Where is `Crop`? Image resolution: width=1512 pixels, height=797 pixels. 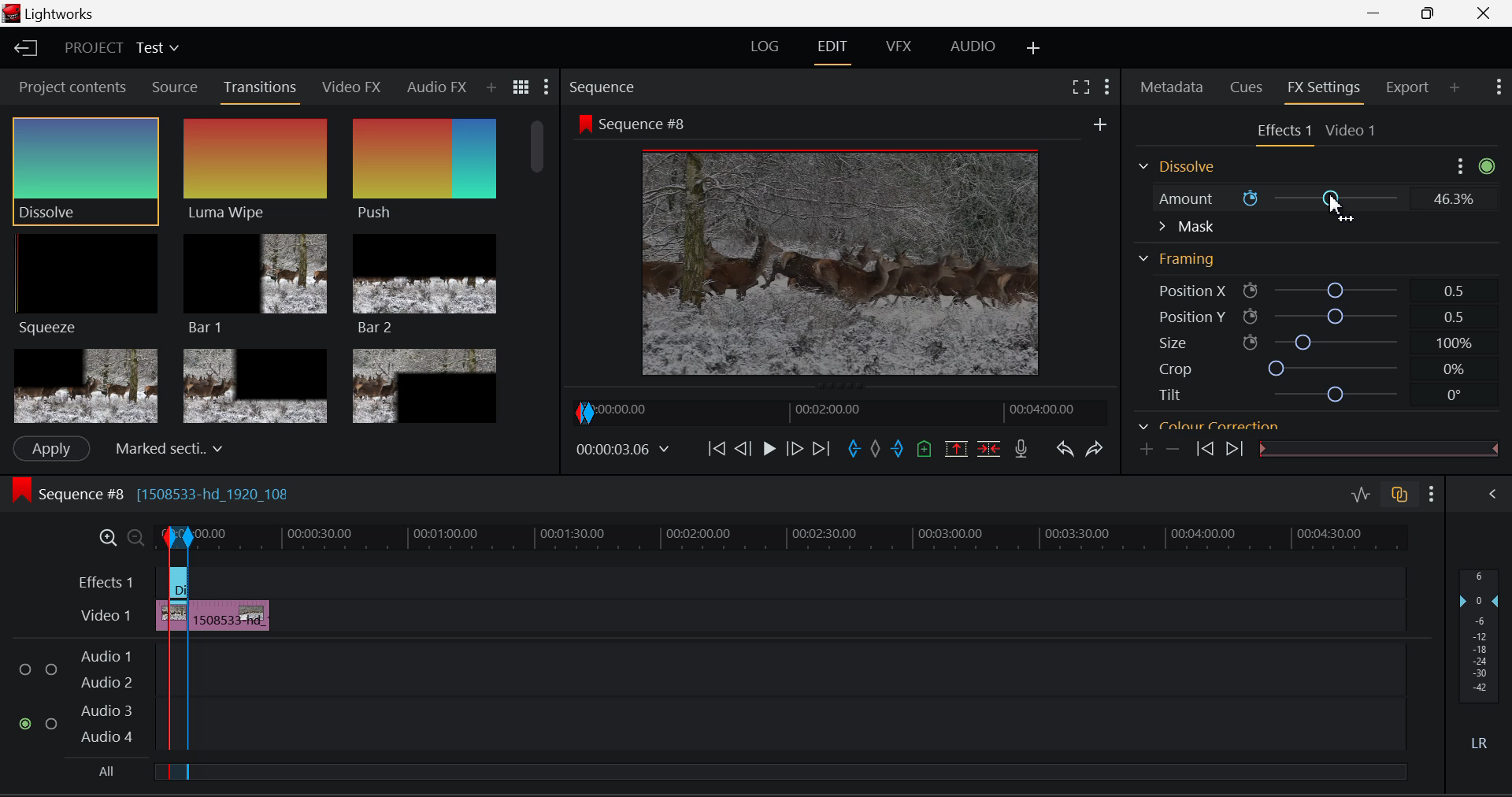 Crop is located at coordinates (1303, 369).